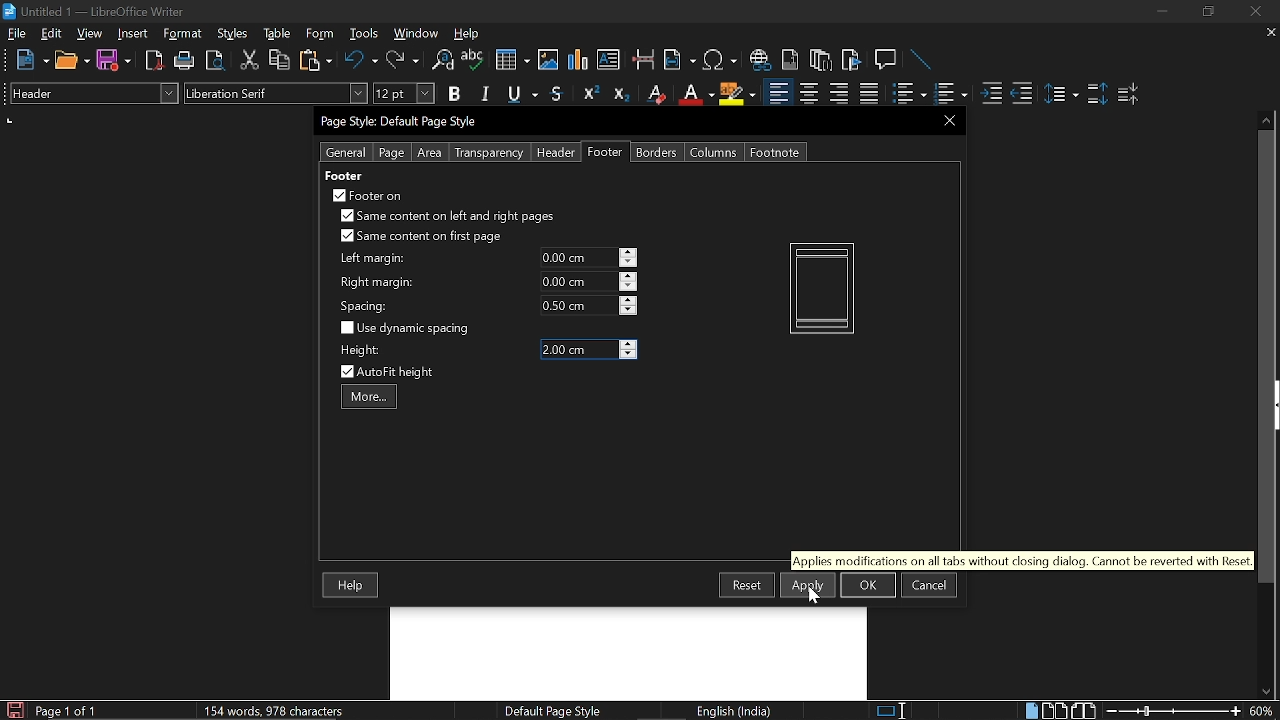 The width and height of the screenshot is (1280, 720). What do you see at coordinates (1254, 12) in the screenshot?
I see `Close` at bounding box center [1254, 12].